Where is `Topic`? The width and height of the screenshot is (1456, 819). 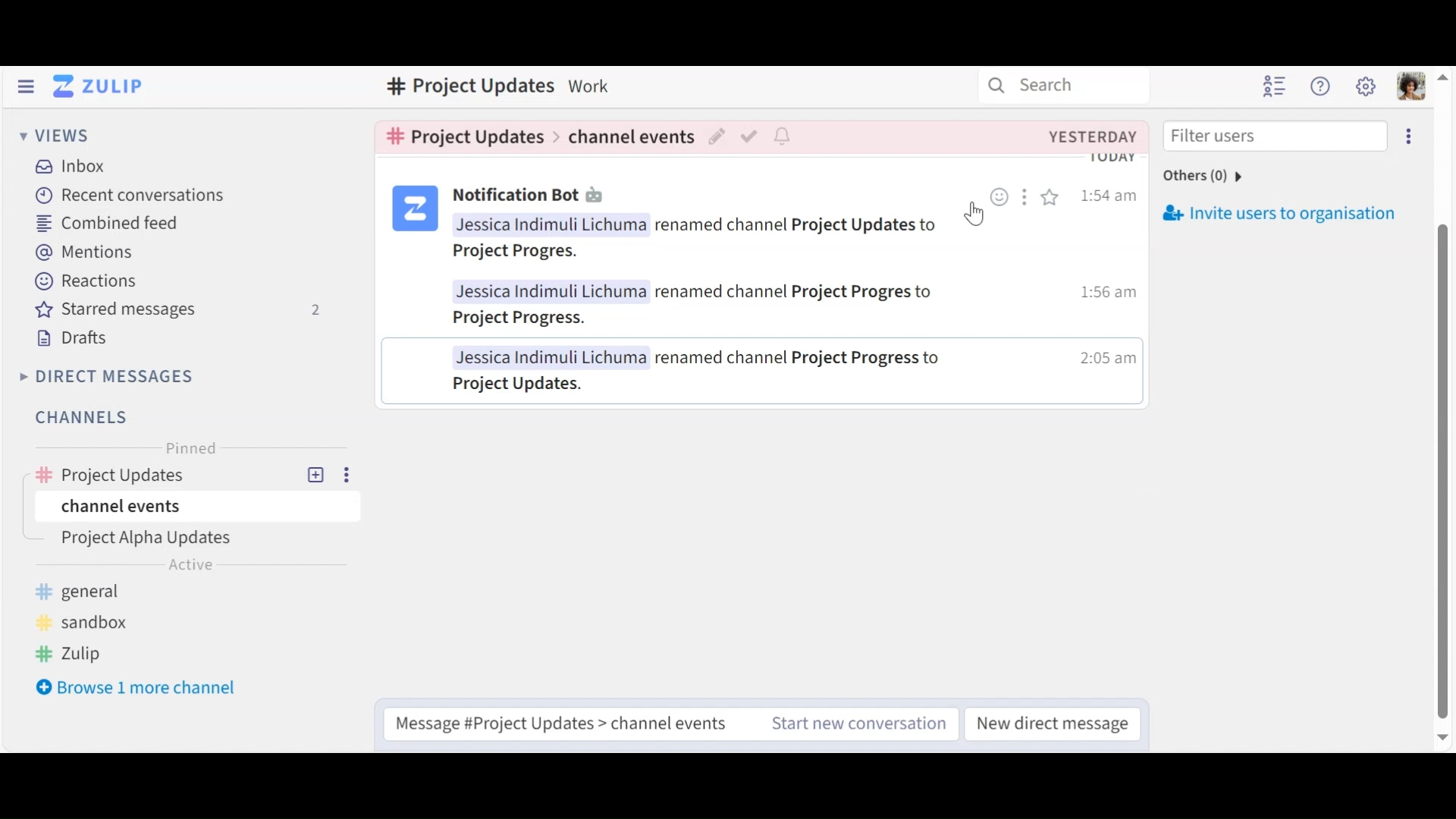
Topic is located at coordinates (201, 540).